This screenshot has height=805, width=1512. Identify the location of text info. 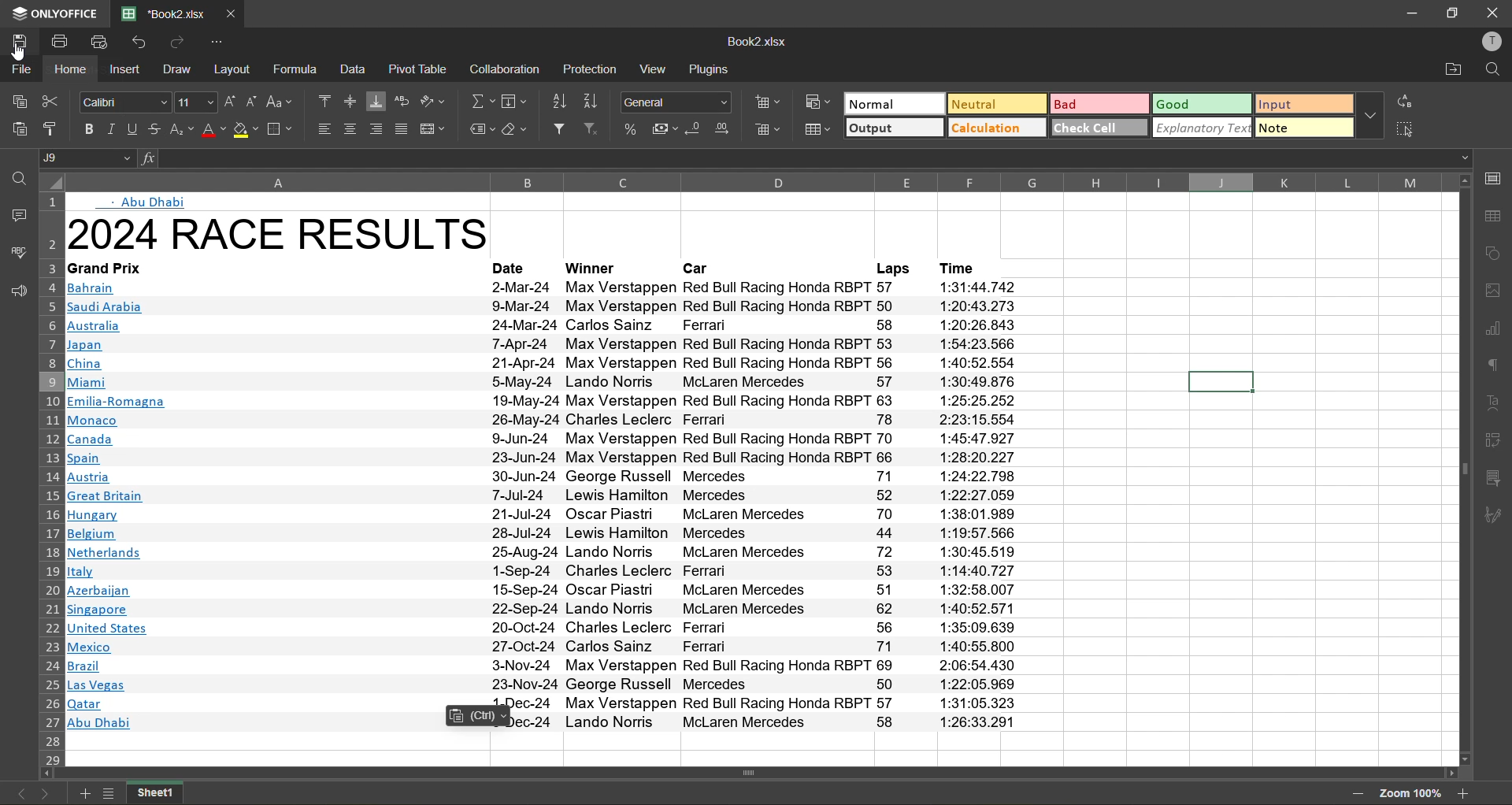
(544, 381).